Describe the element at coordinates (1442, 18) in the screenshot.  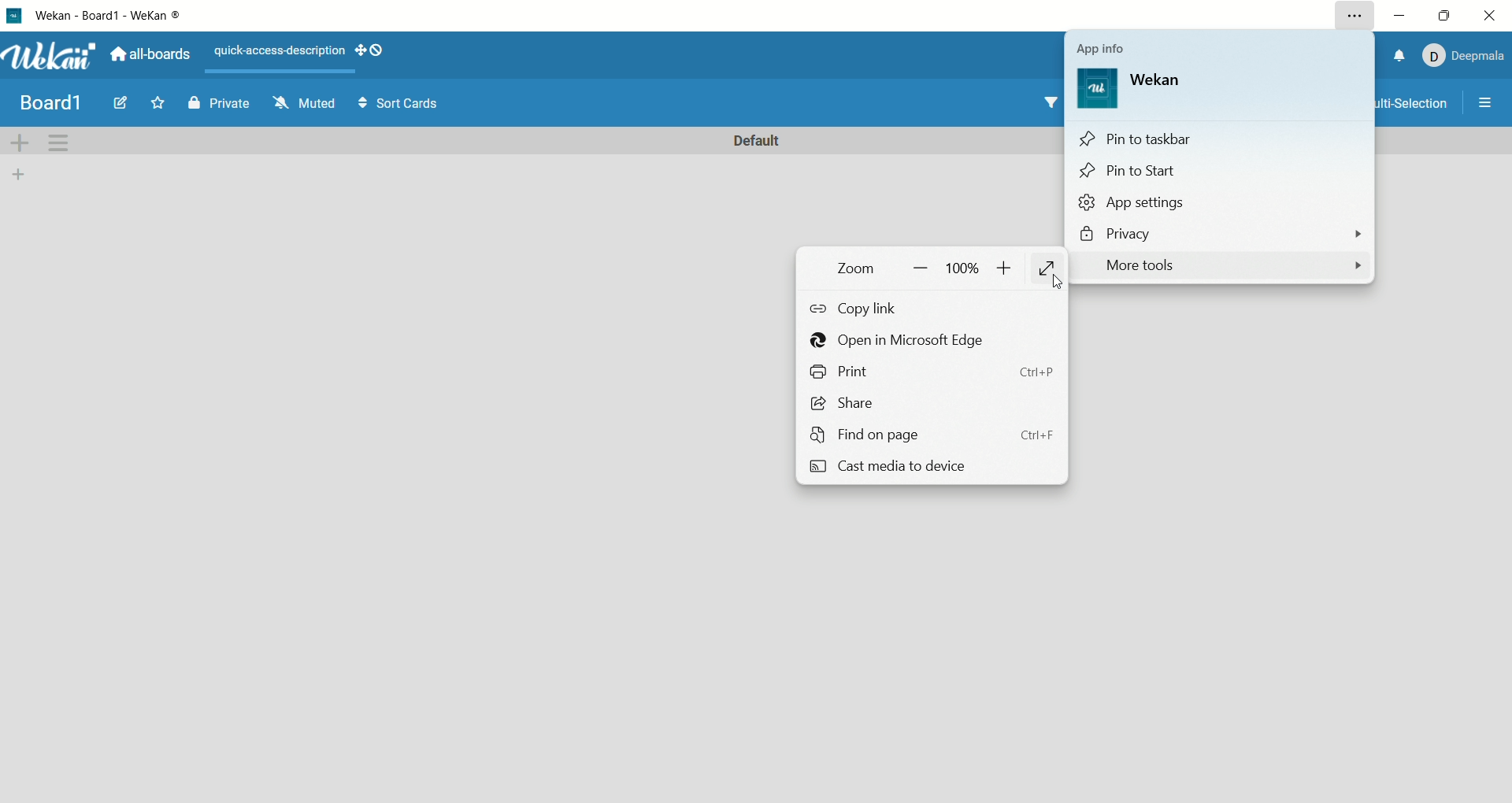
I see `maximize` at that location.